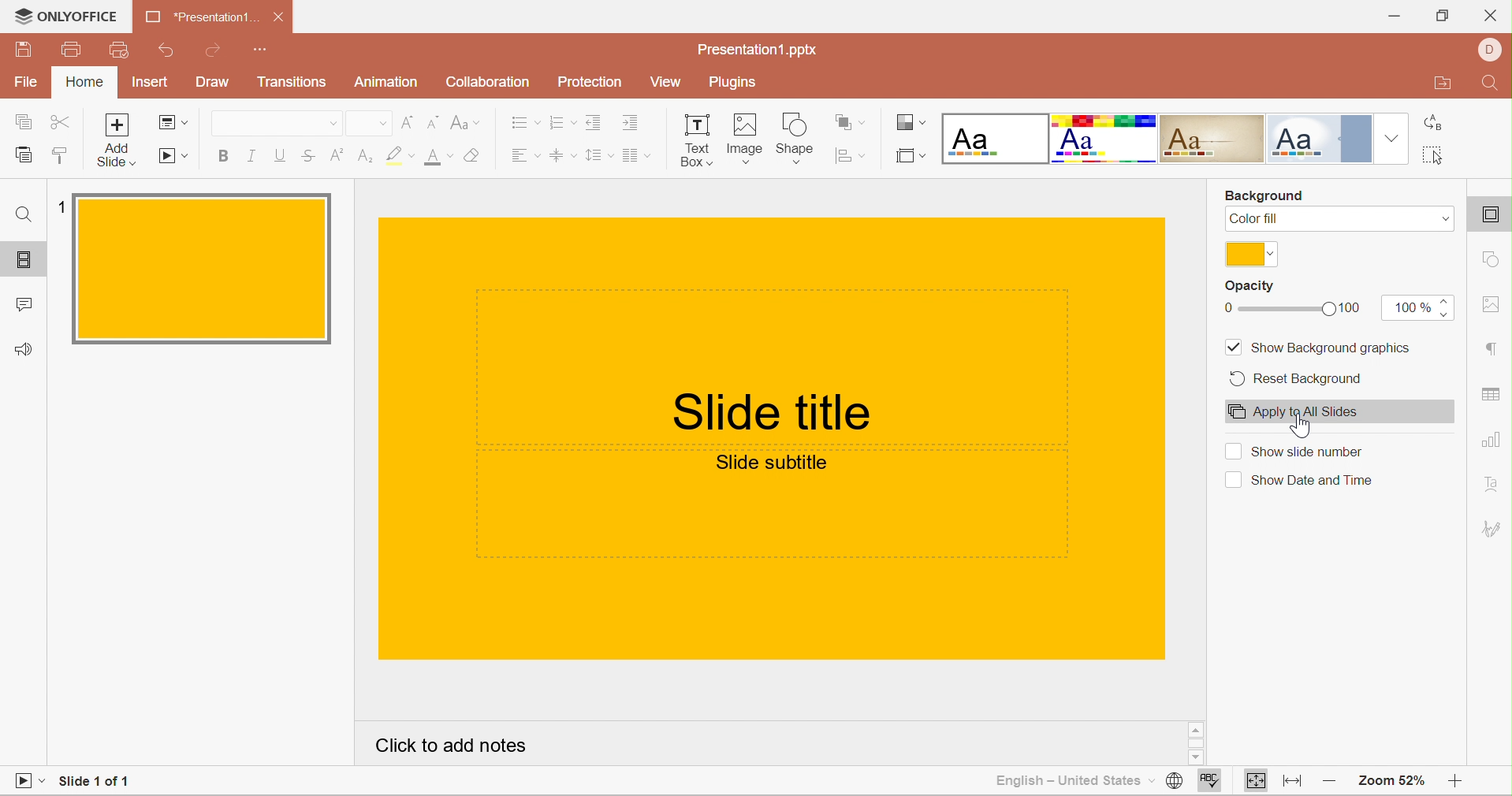 The height and width of the screenshot is (796, 1512). What do you see at coordinates (63, 205) in the screenshot?
I see `1` at bounding box center [63, 205].